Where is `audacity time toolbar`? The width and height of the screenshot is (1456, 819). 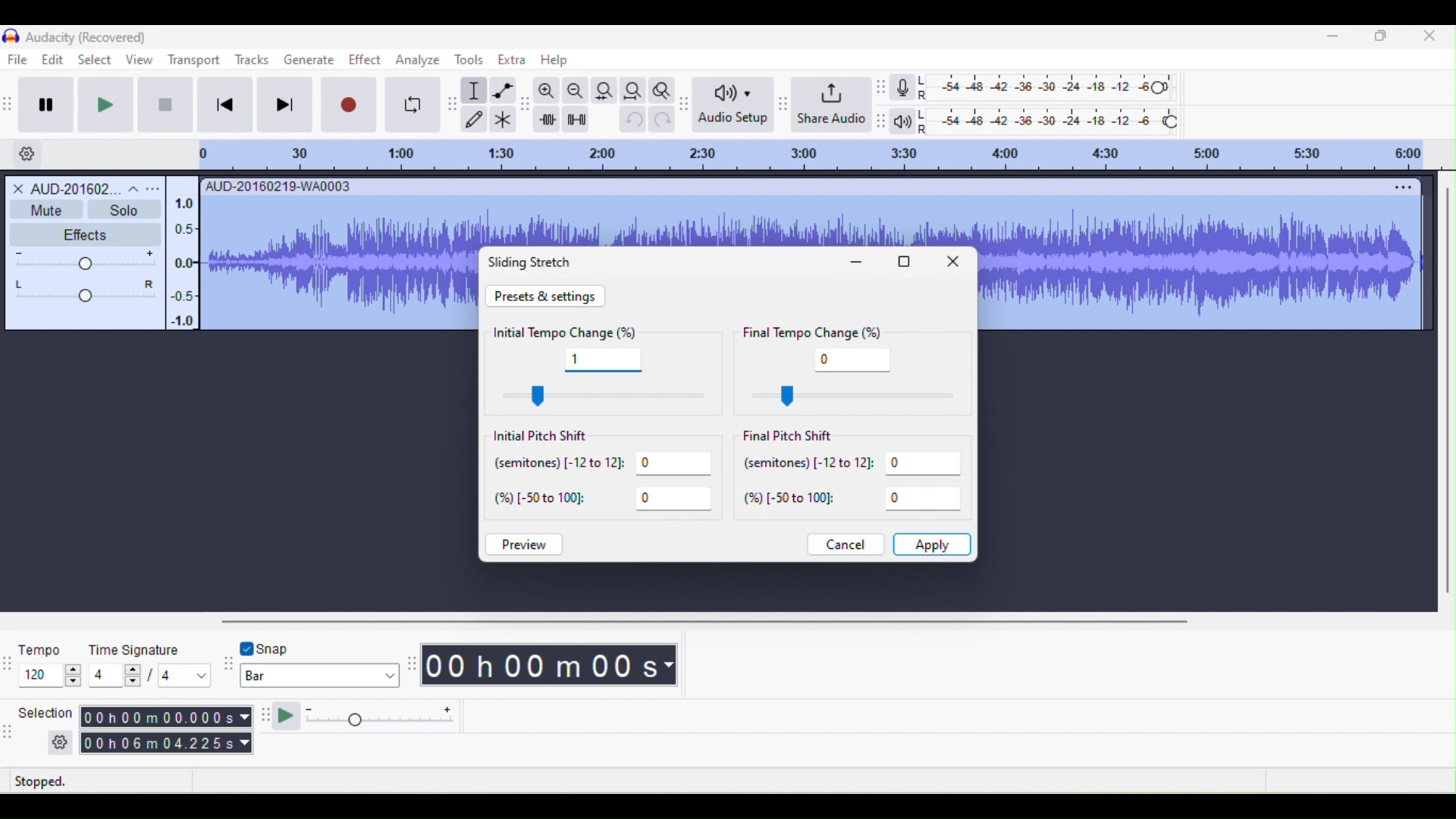
audacity time toolbar is located at coordinates (411, 664).